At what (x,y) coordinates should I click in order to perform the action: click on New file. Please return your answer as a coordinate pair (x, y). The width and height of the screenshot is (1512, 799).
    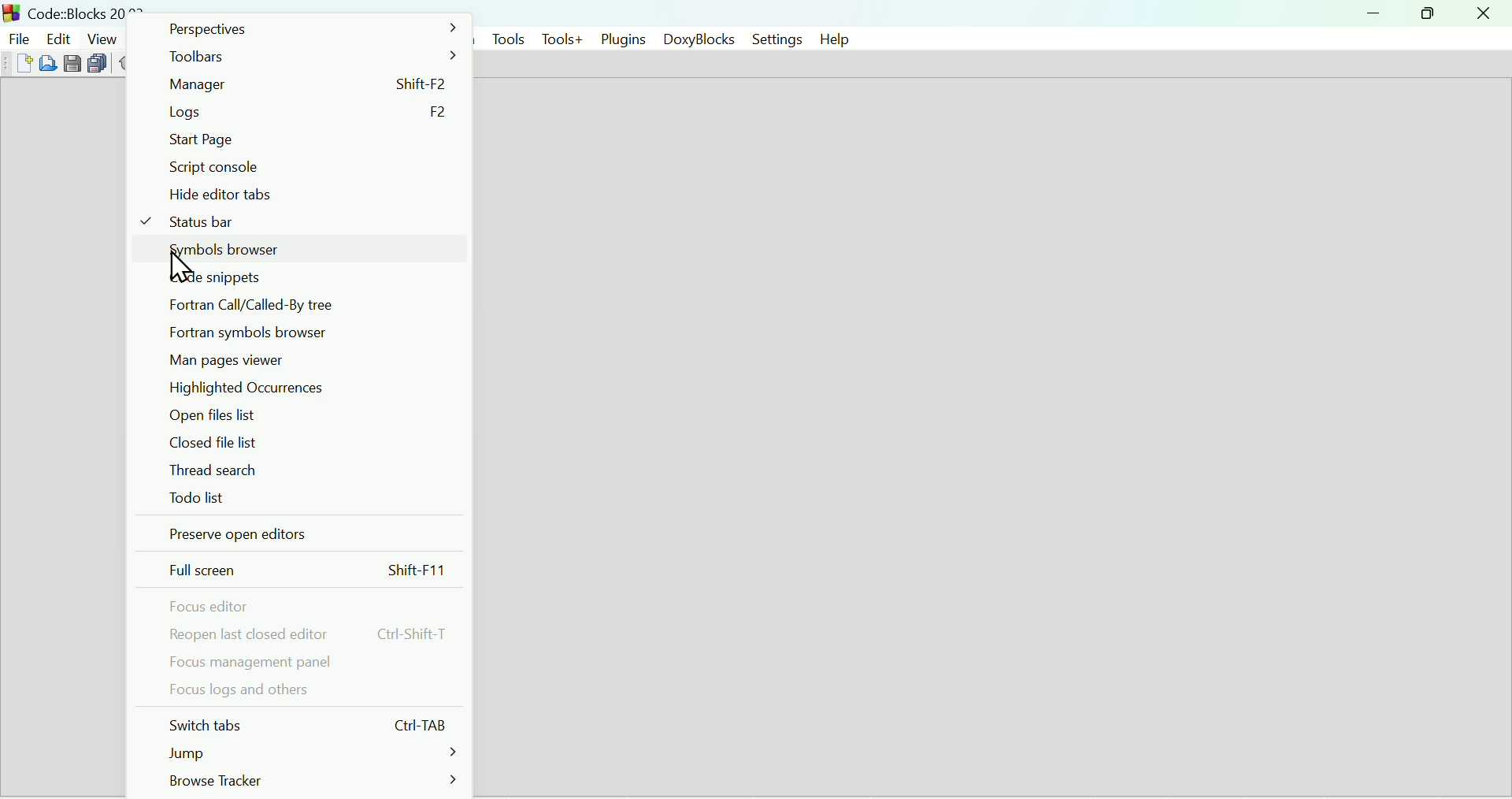
    Looking at the image, I should click on (22, 63).